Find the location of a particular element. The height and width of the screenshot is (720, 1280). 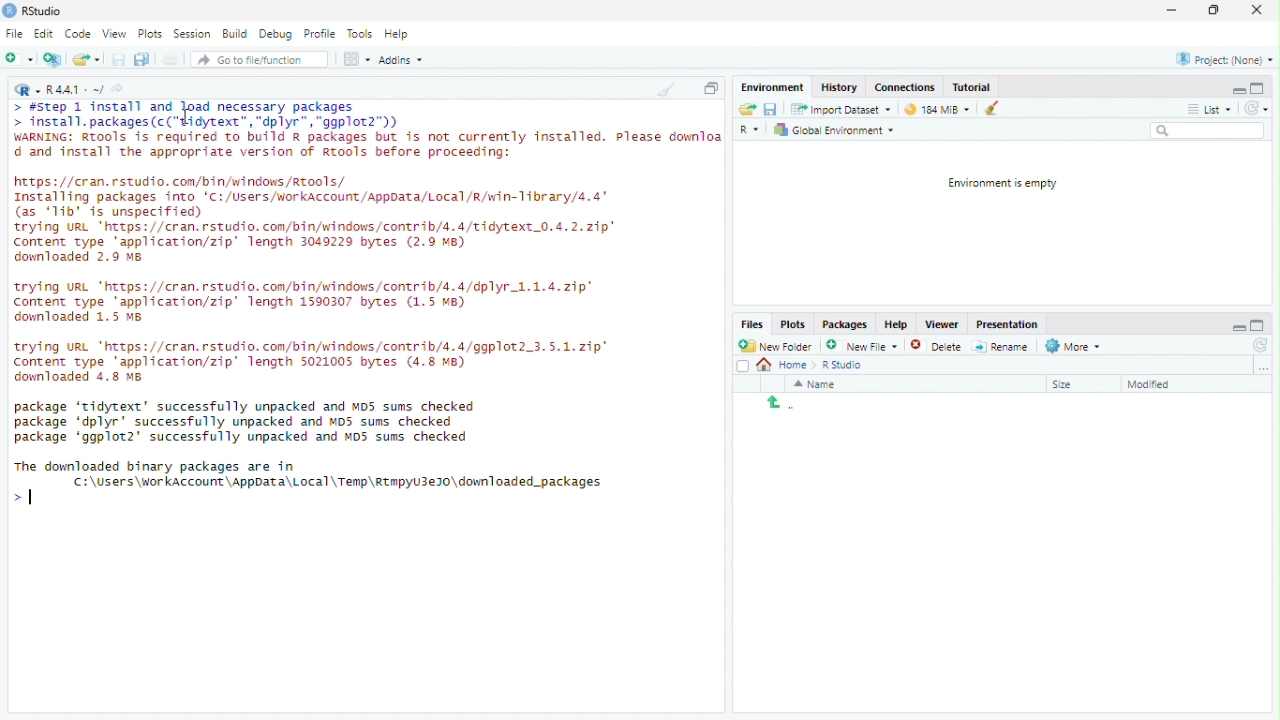

Viewer is located at coordinates (941, 325).